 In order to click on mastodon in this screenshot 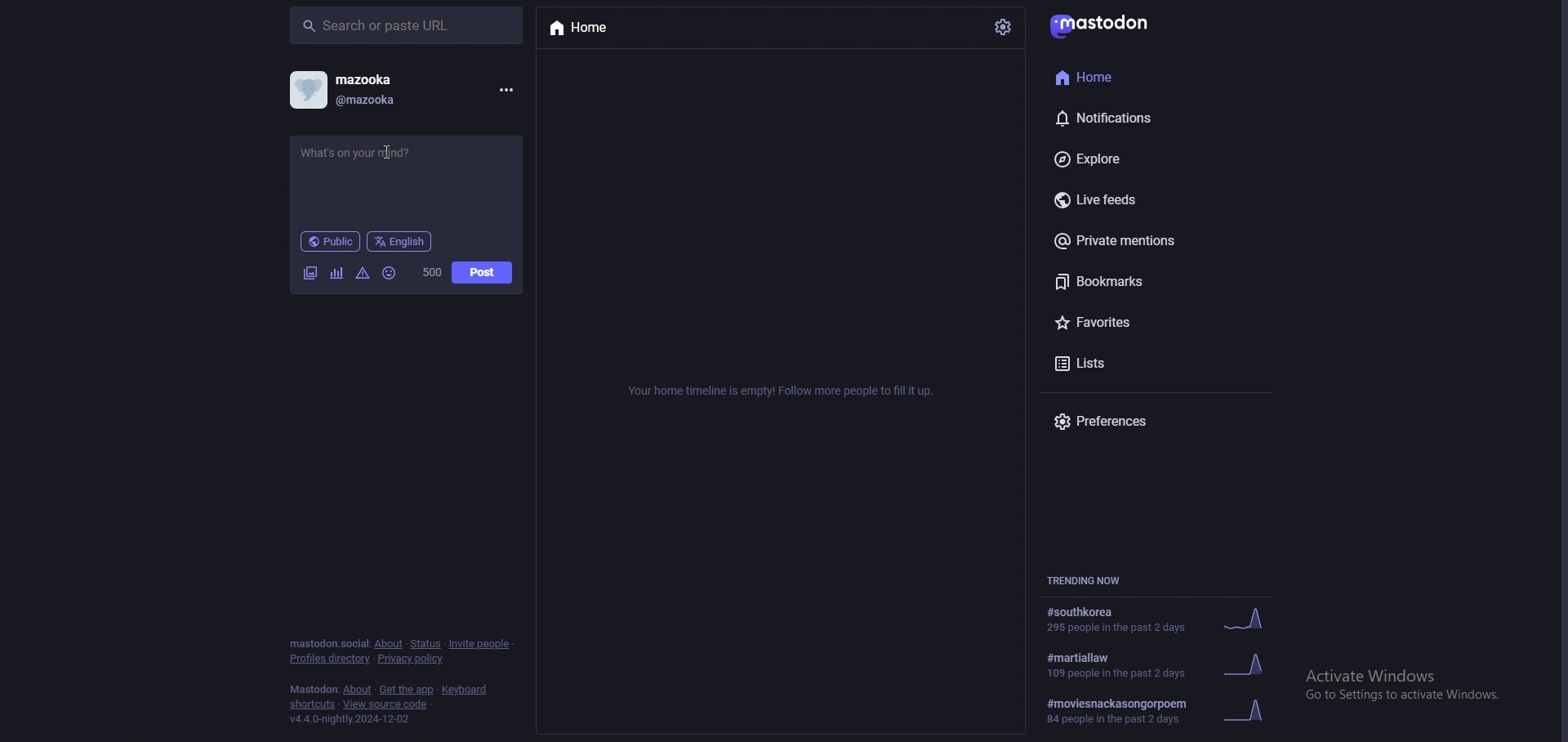, I will do `click(1107, 24)`.